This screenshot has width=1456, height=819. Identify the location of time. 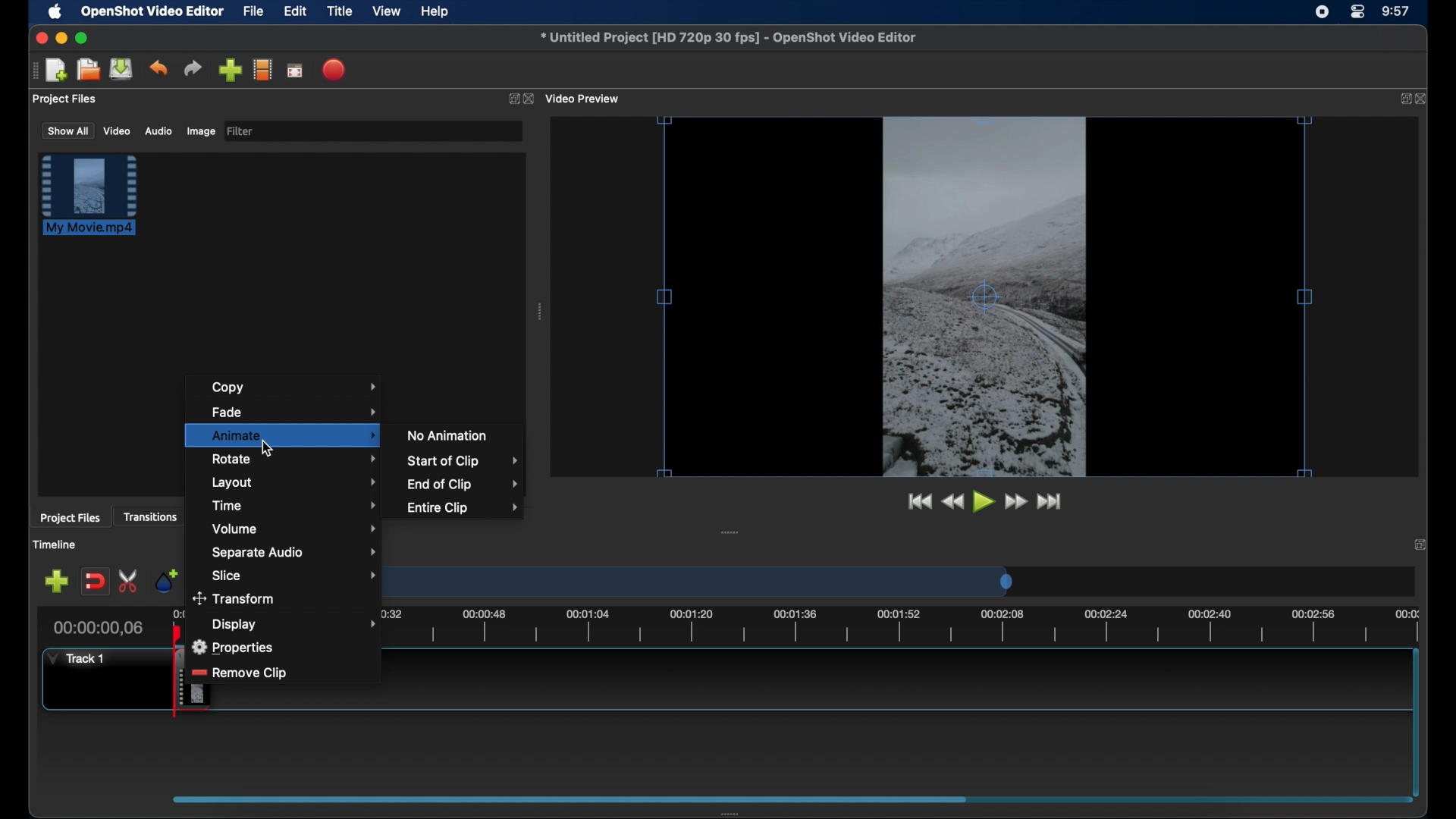
(1397, 12).